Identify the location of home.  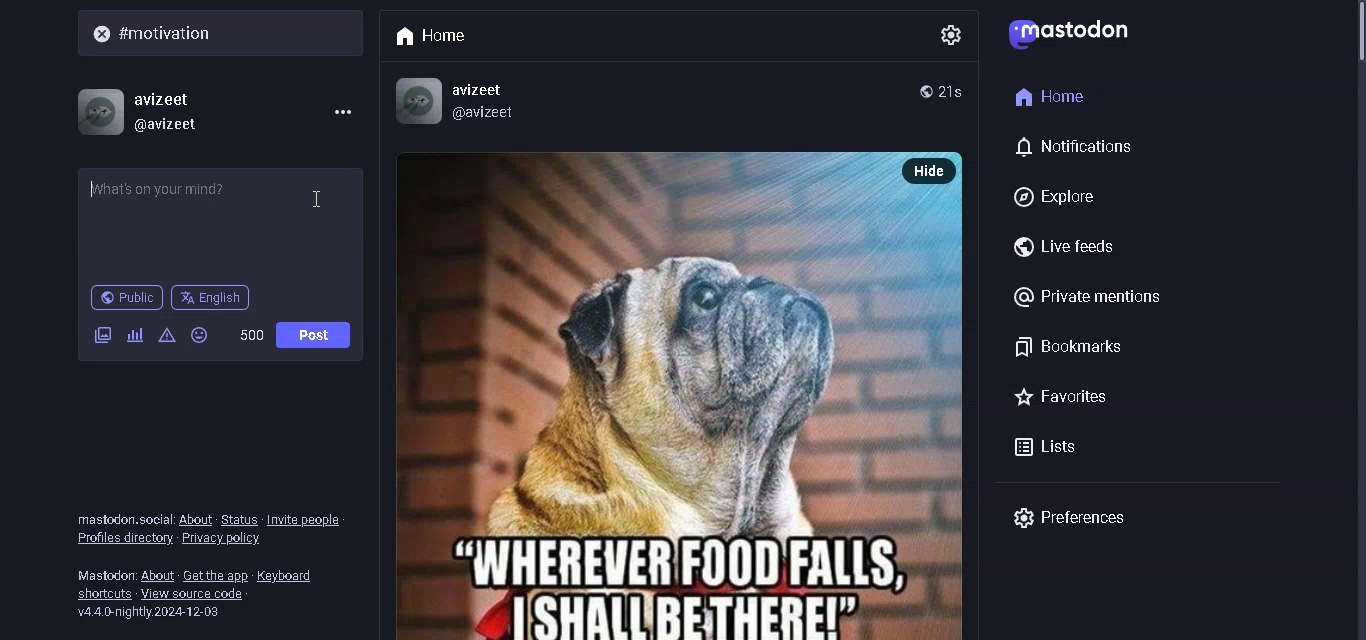
(1053, 95).